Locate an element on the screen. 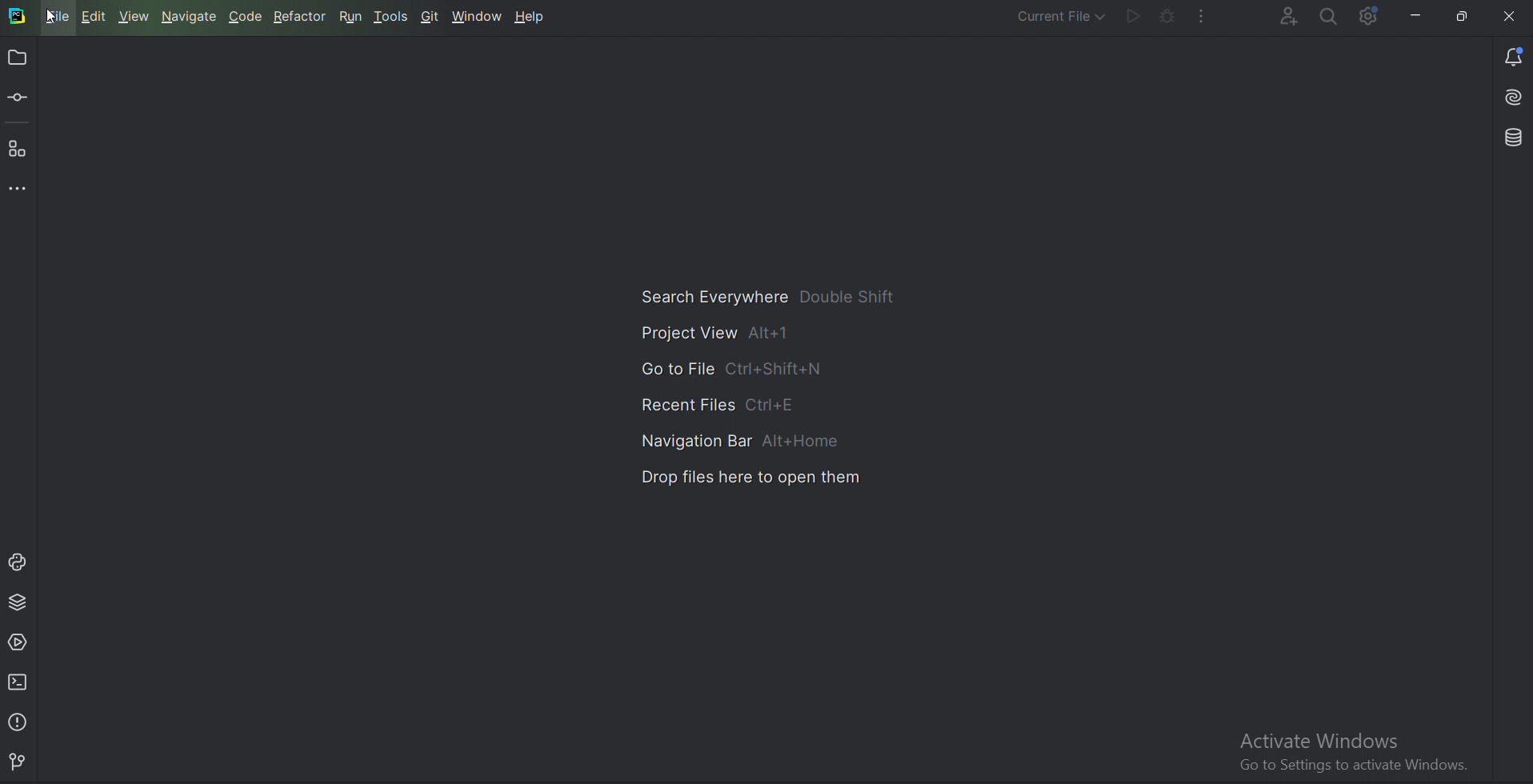 This screenshot has height=784, width=1533. Problems is located at coordinates (20, 722).